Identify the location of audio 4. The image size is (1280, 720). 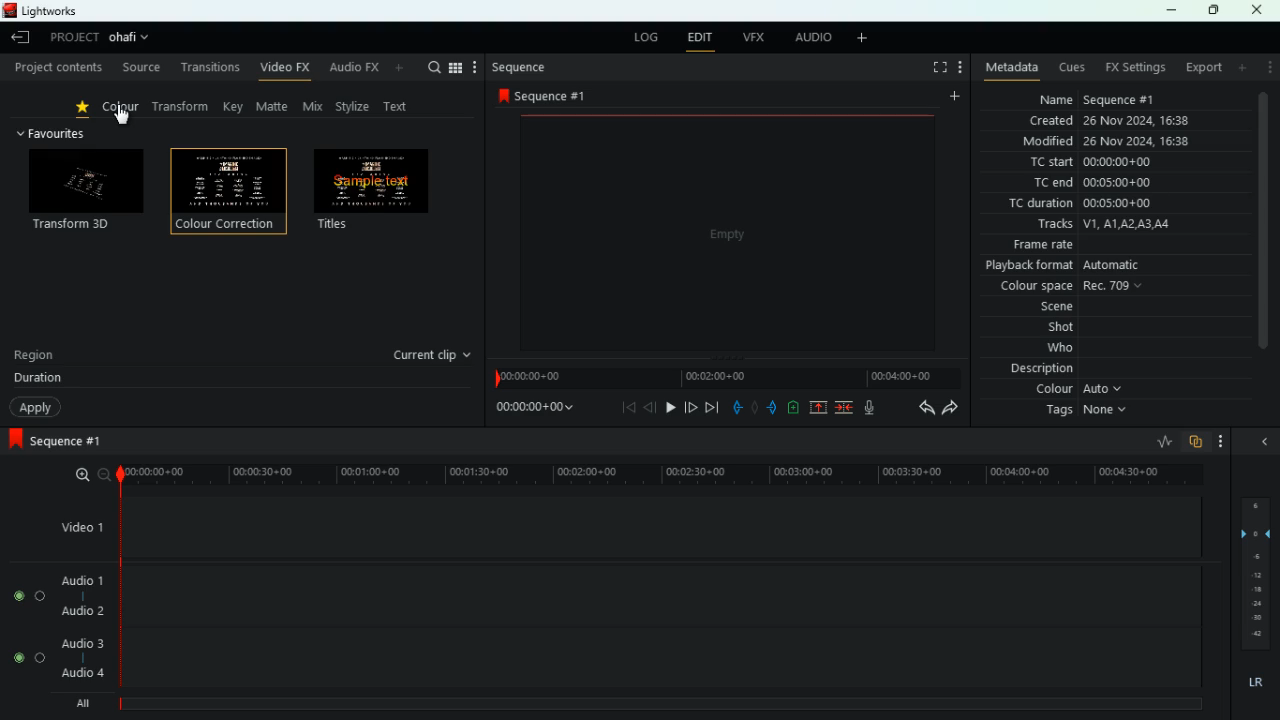
(84, 673).